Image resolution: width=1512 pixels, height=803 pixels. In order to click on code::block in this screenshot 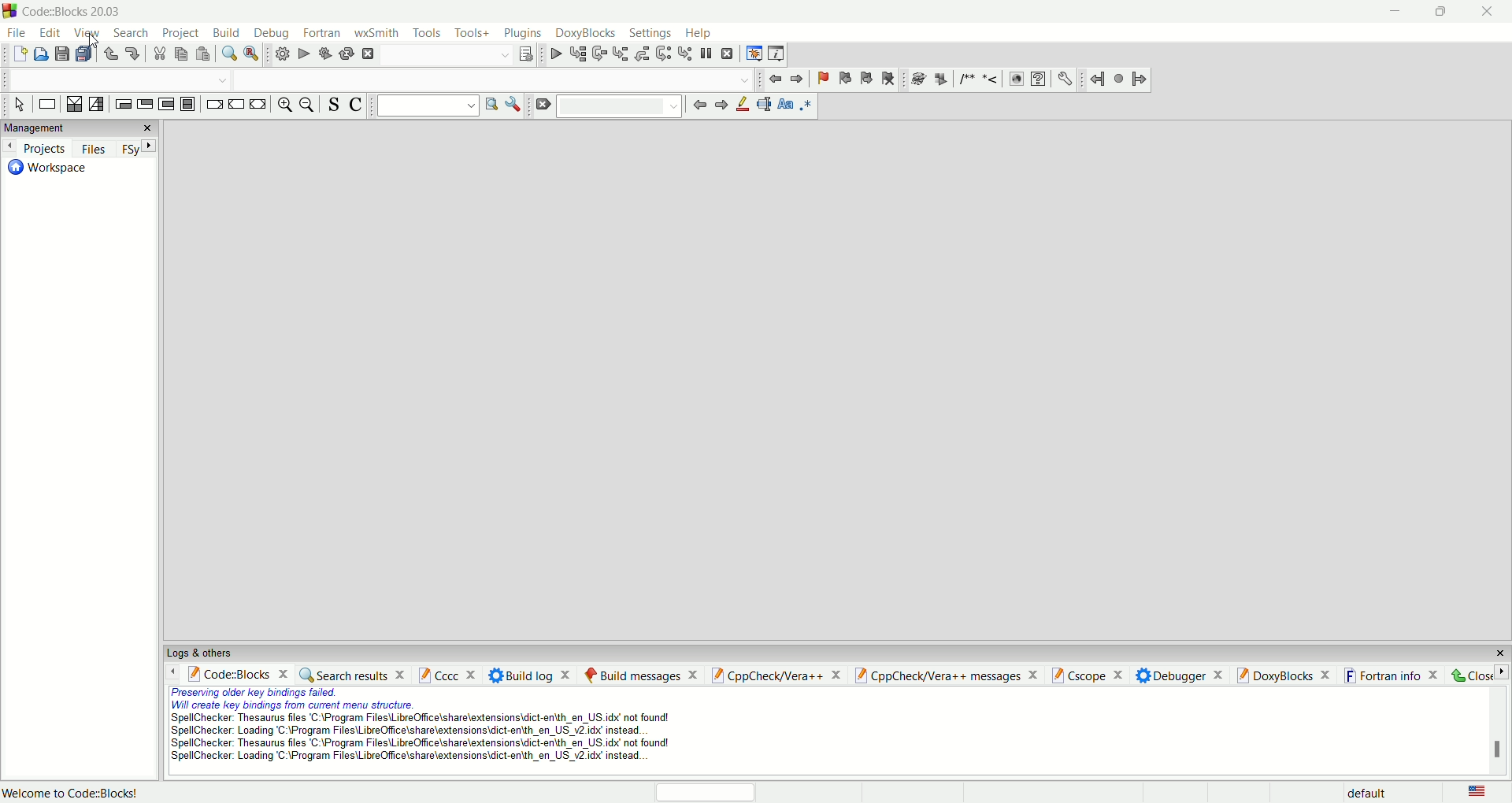, I will do `click(237, 675)`.